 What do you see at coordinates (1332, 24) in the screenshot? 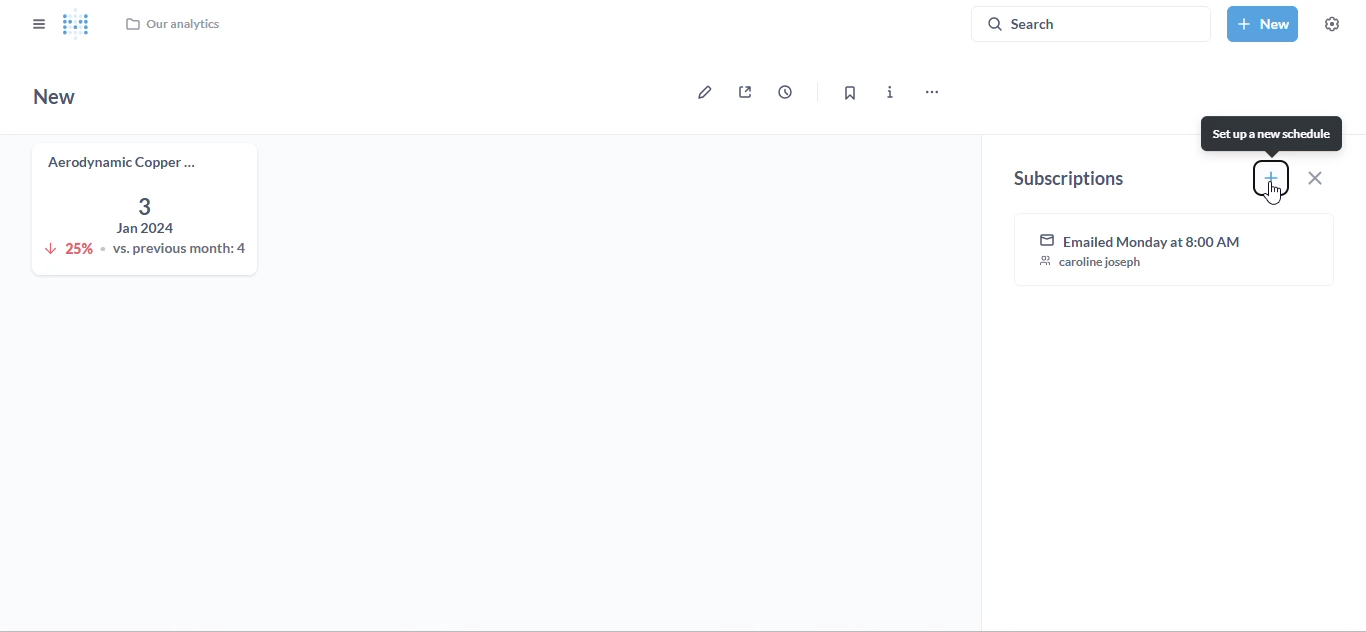
I see `settings` at bounding box center [1332, 24].